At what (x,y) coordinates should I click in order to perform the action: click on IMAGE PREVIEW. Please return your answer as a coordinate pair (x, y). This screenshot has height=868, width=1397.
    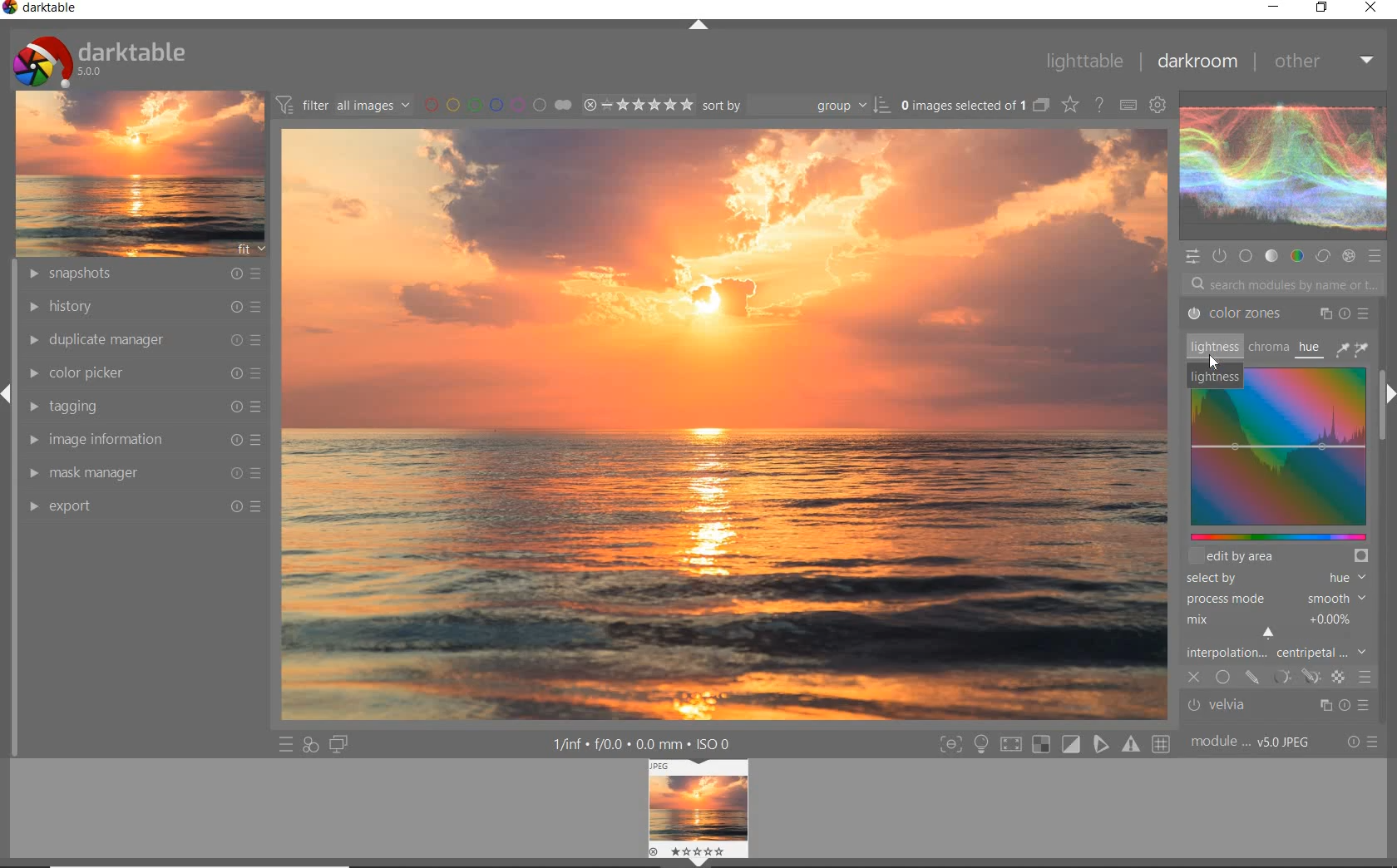
    Looking at the image, I should click on (698, 814).